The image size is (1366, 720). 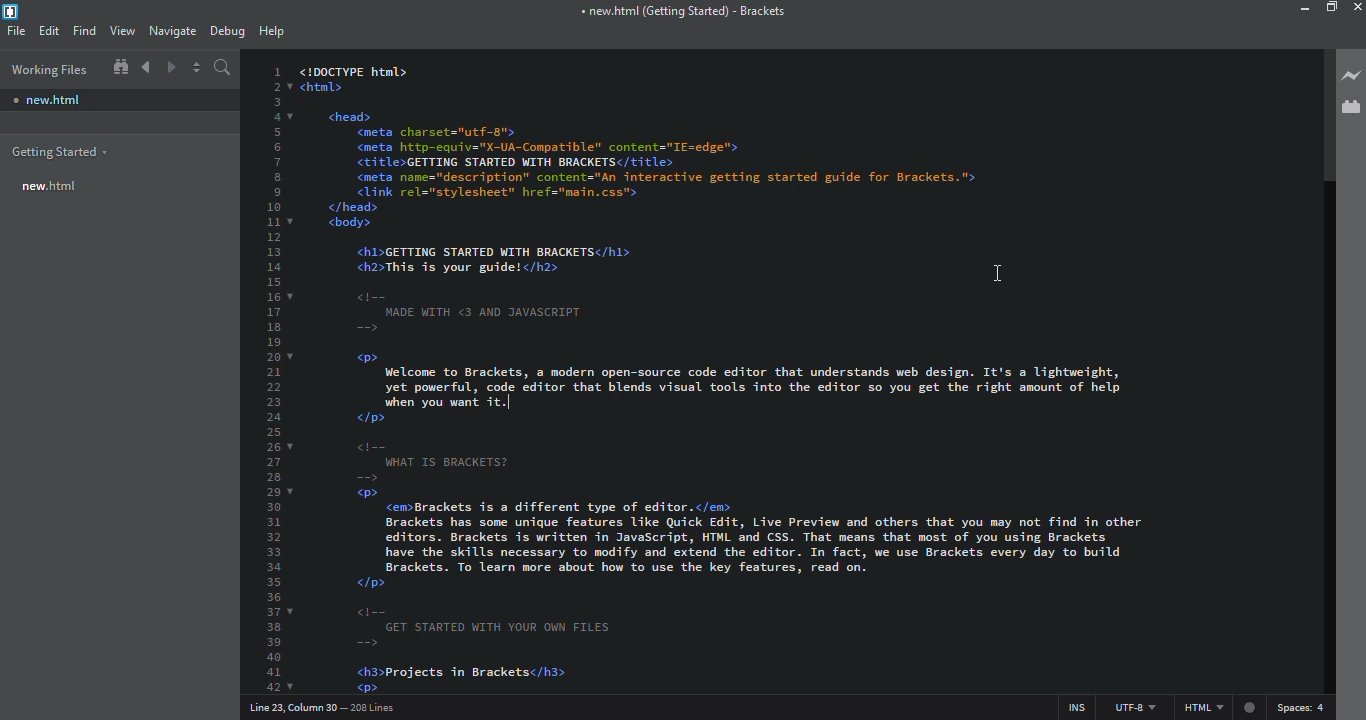 I want to click on spaces, so click(x=1302, y=708).